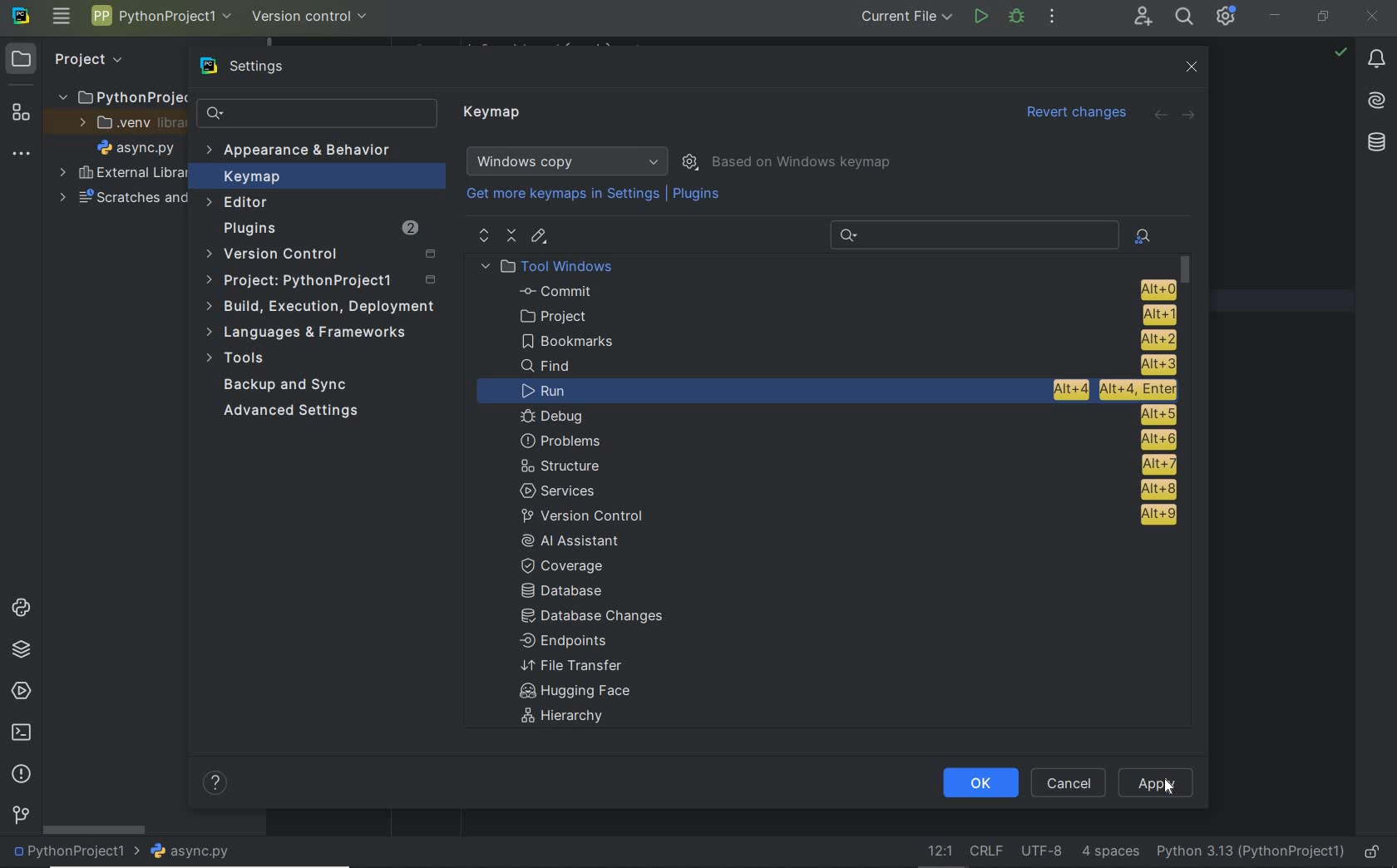 Image resolution: width=1397 pixels, height=868 pixels. I want to click on Run, so click(849, 389).